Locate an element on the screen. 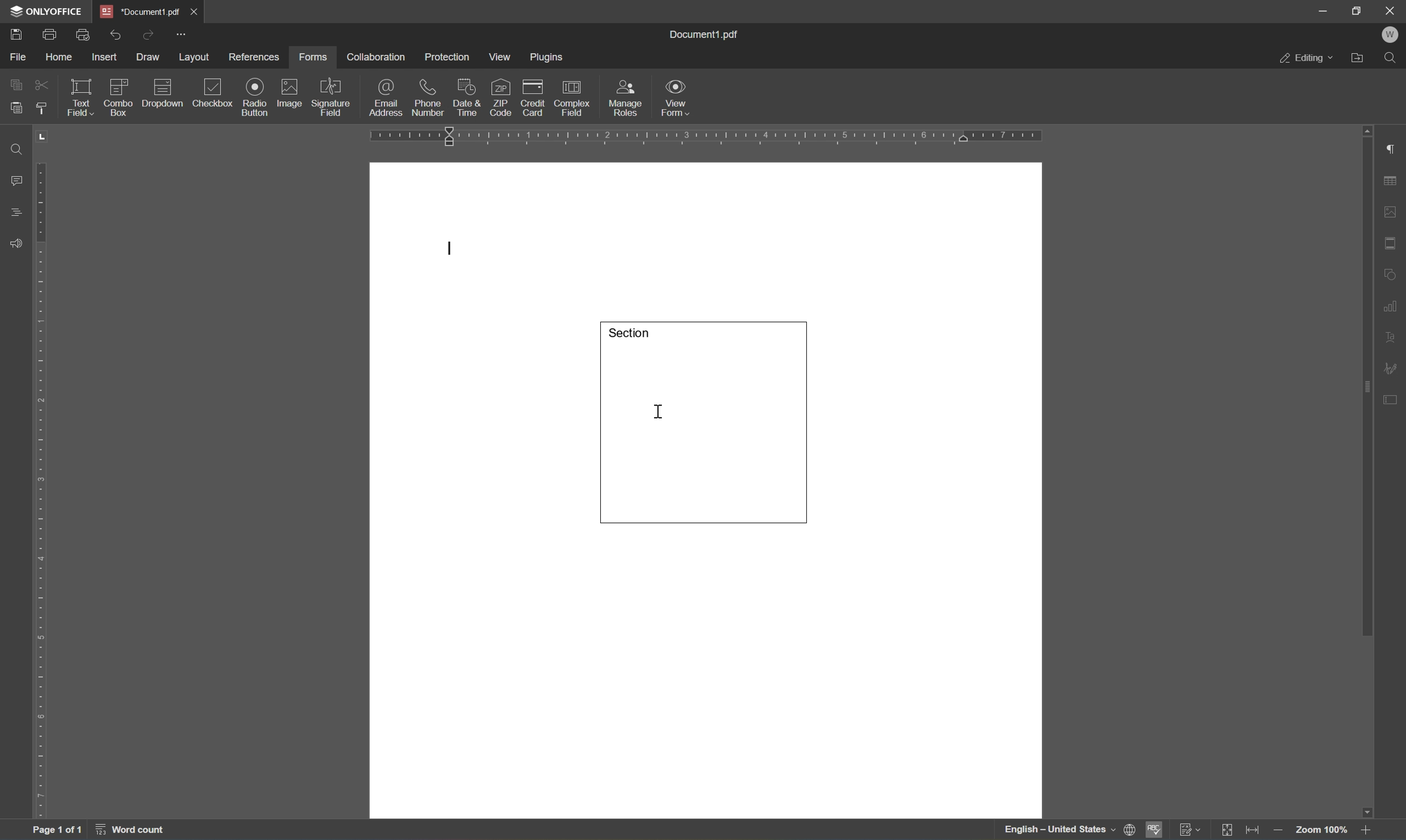 The image size is (1406, 840). protection is located at coordinates (448, 57).